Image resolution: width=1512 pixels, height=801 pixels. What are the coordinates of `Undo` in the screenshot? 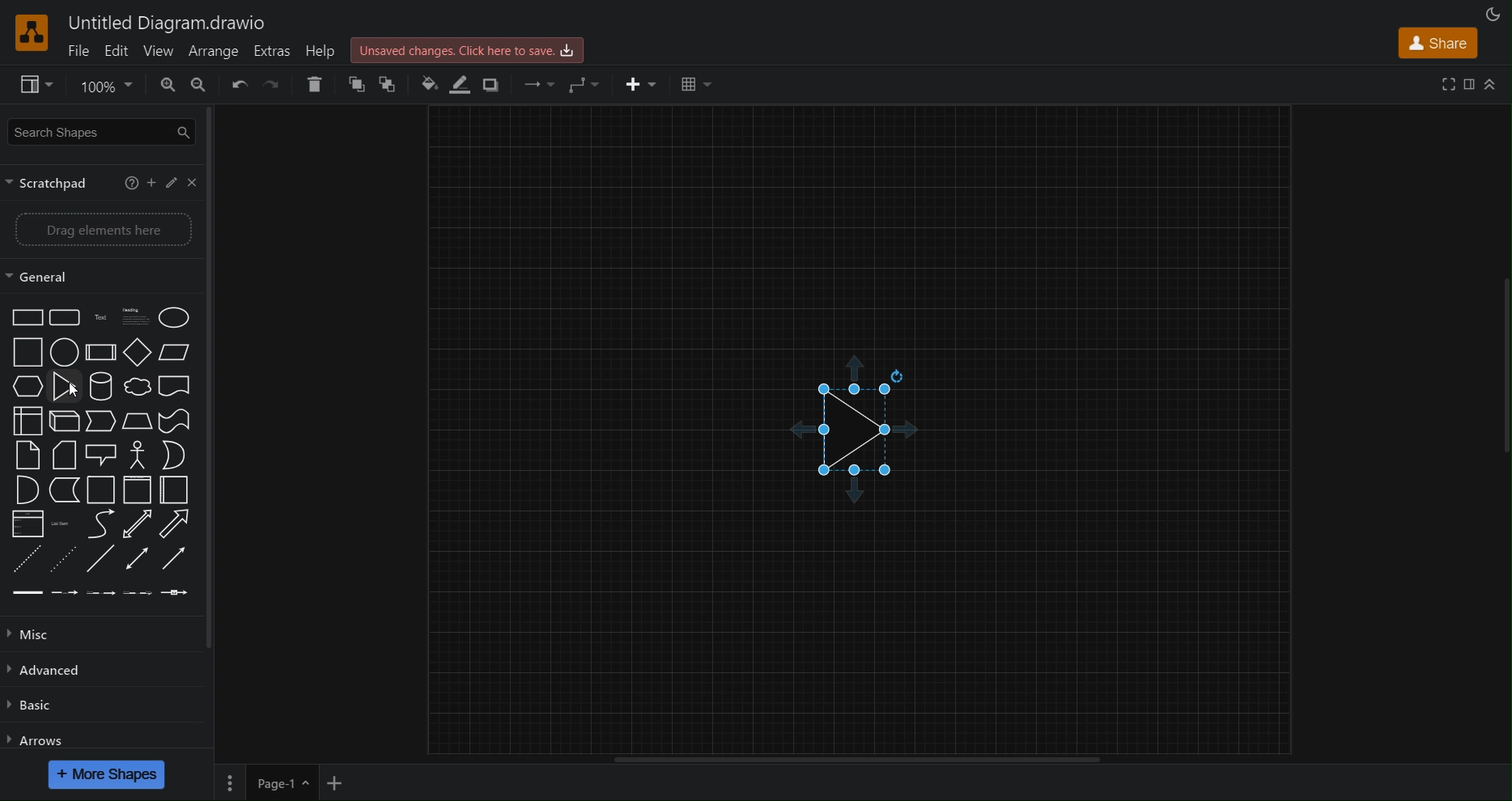 It's located at (236, 83).